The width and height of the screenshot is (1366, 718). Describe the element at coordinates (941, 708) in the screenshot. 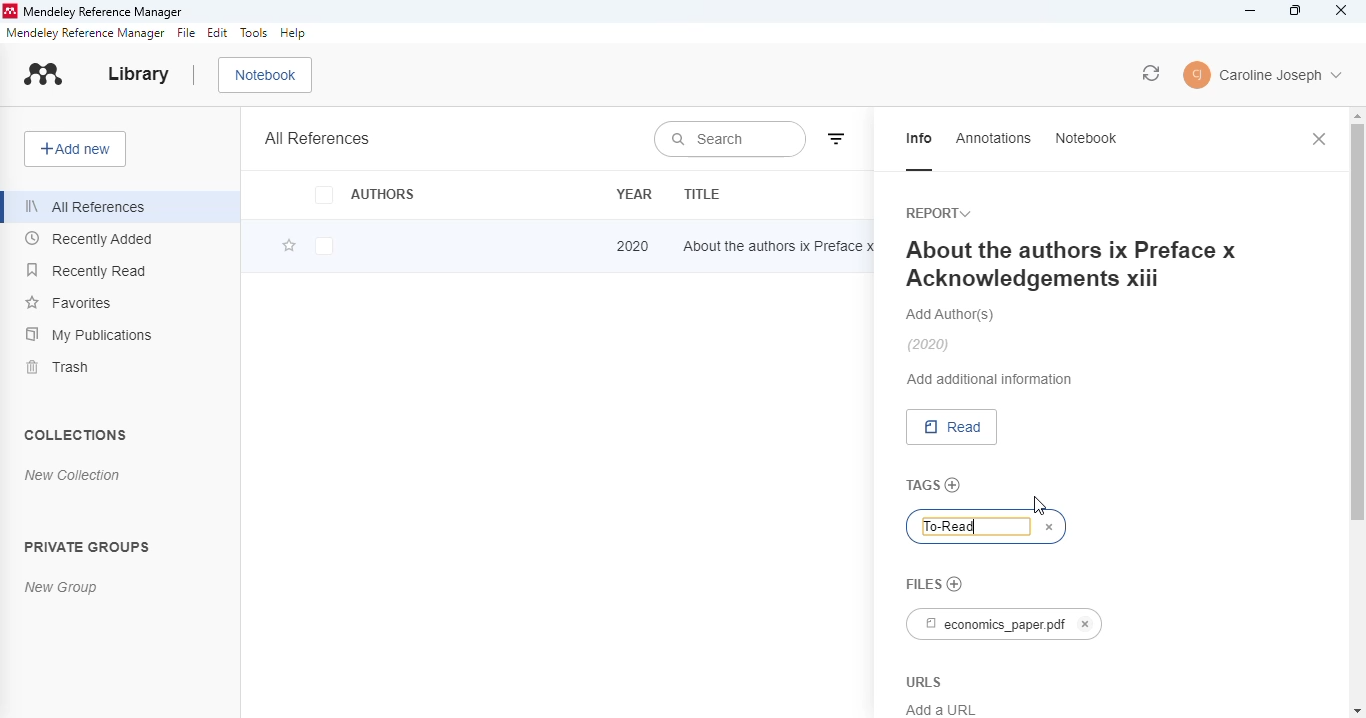

I see `Add a URL` at that location.